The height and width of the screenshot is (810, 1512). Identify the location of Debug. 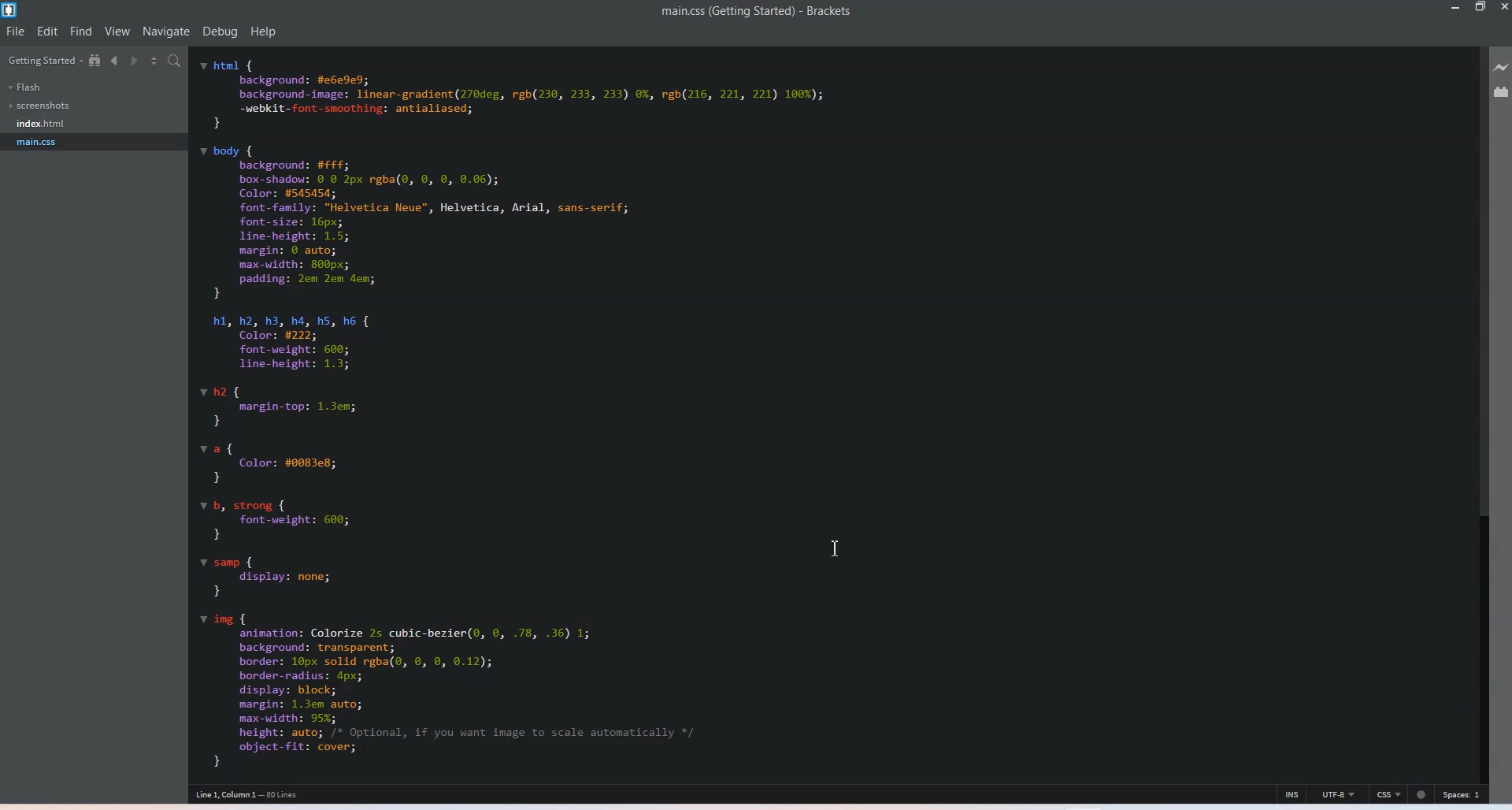
(220, 32).